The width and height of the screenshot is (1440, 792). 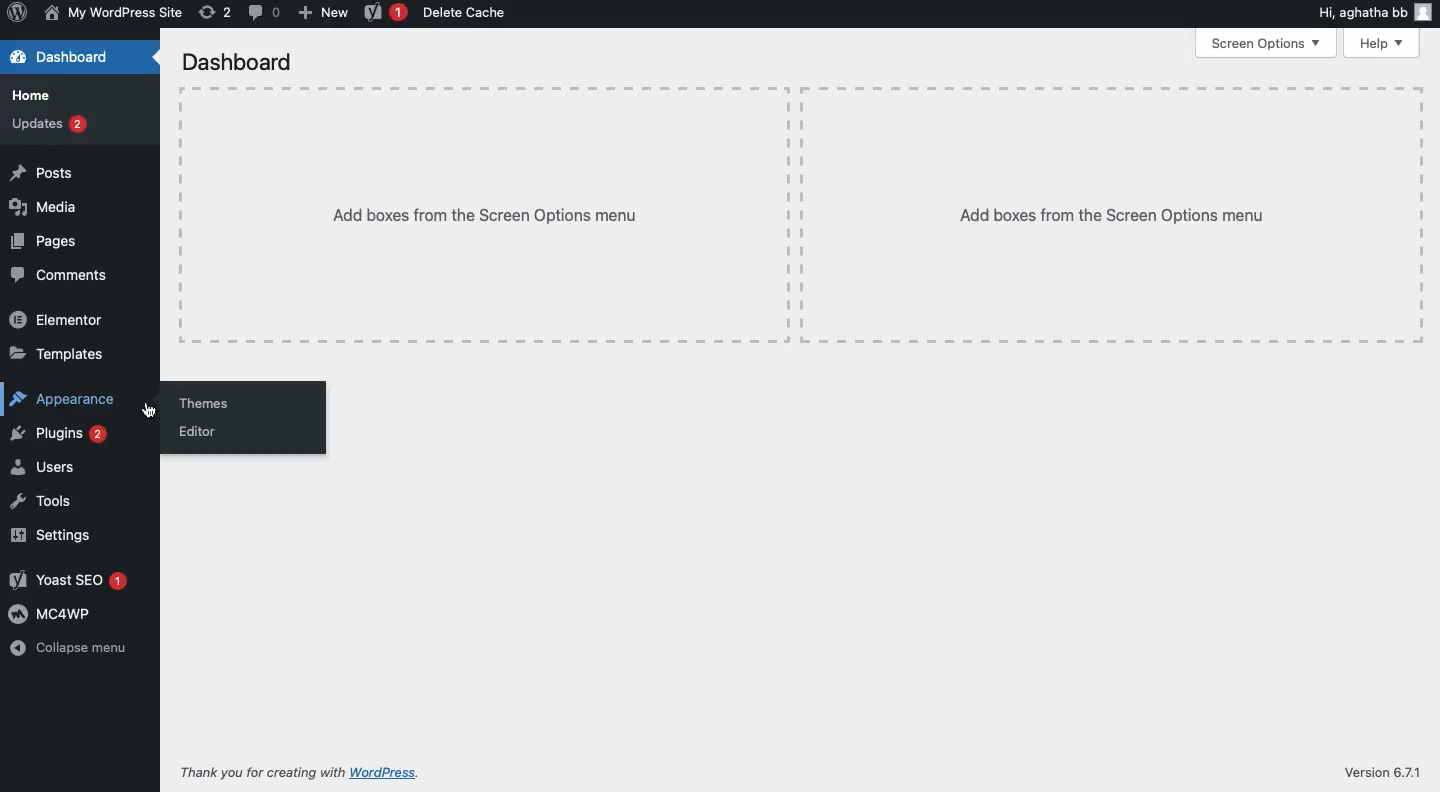 What do you see at coordinates (204, 403) in the screenshot?
I see `Themes` at bounding box center [204, 403].